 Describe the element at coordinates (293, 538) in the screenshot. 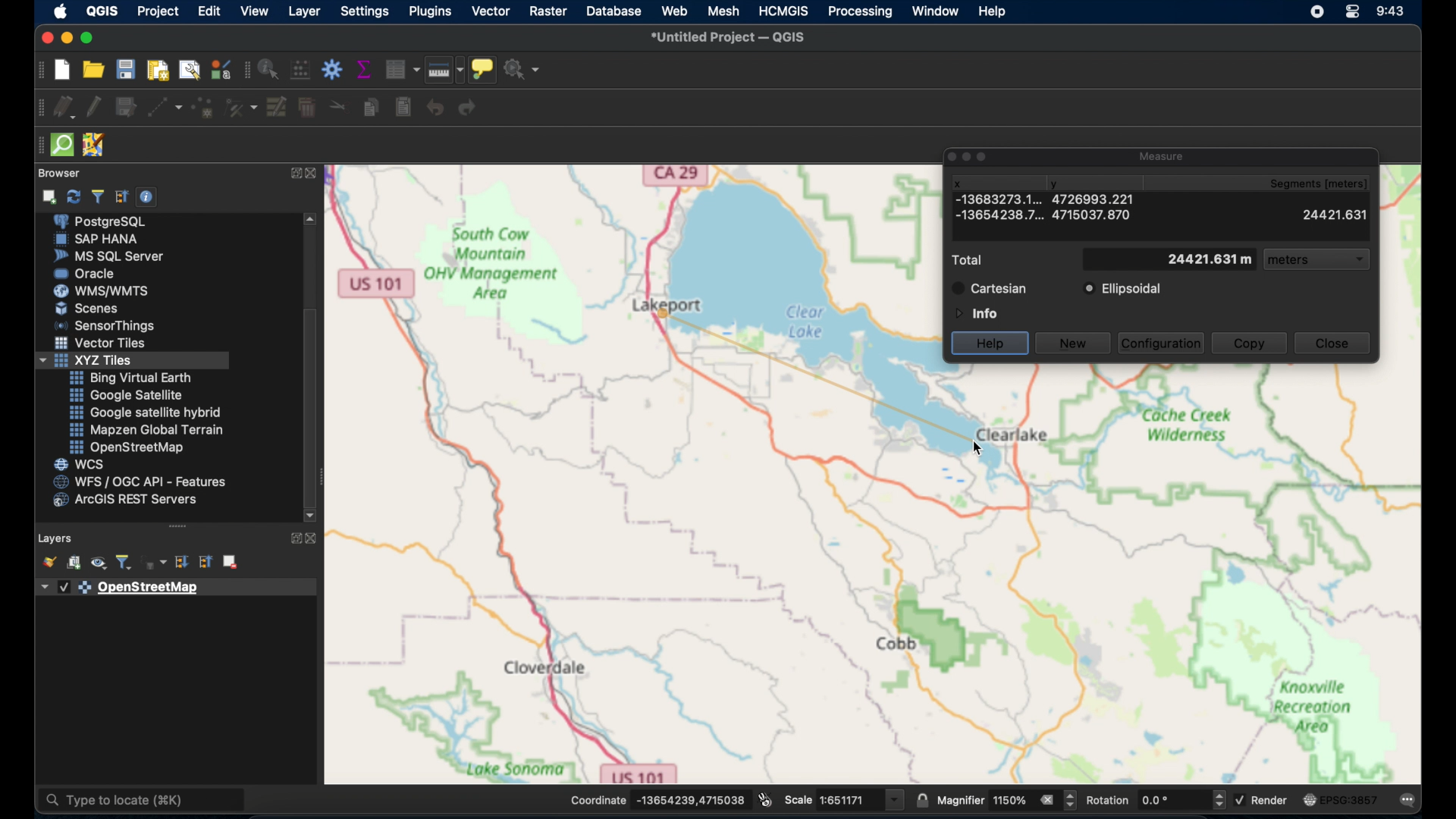

I see `expand` at that location.